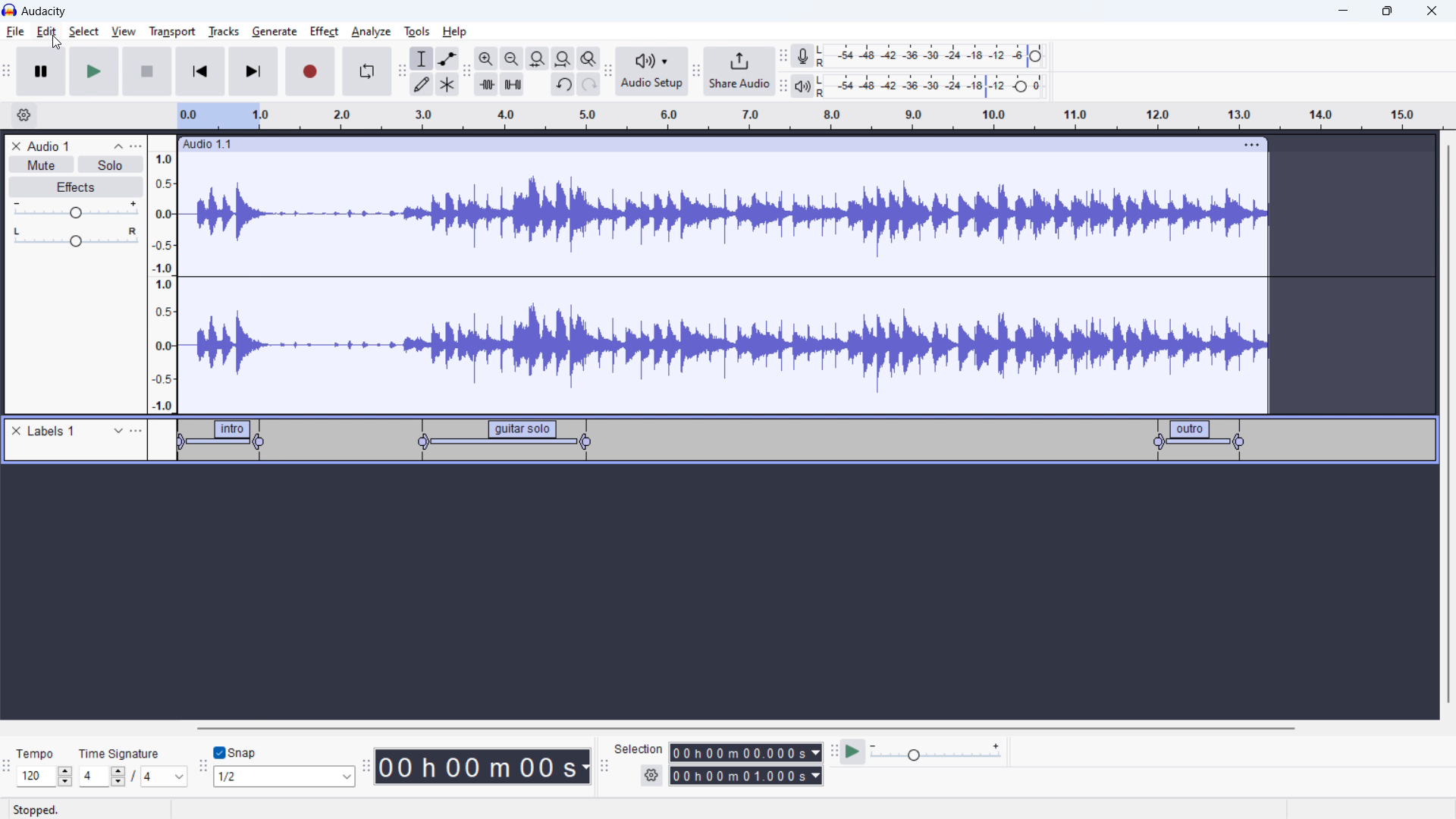 The width and height of the screenshot is (1456, 819). Describe the element at coordinates (652, 72) in the screenshot. I see `audio setup` at that location.